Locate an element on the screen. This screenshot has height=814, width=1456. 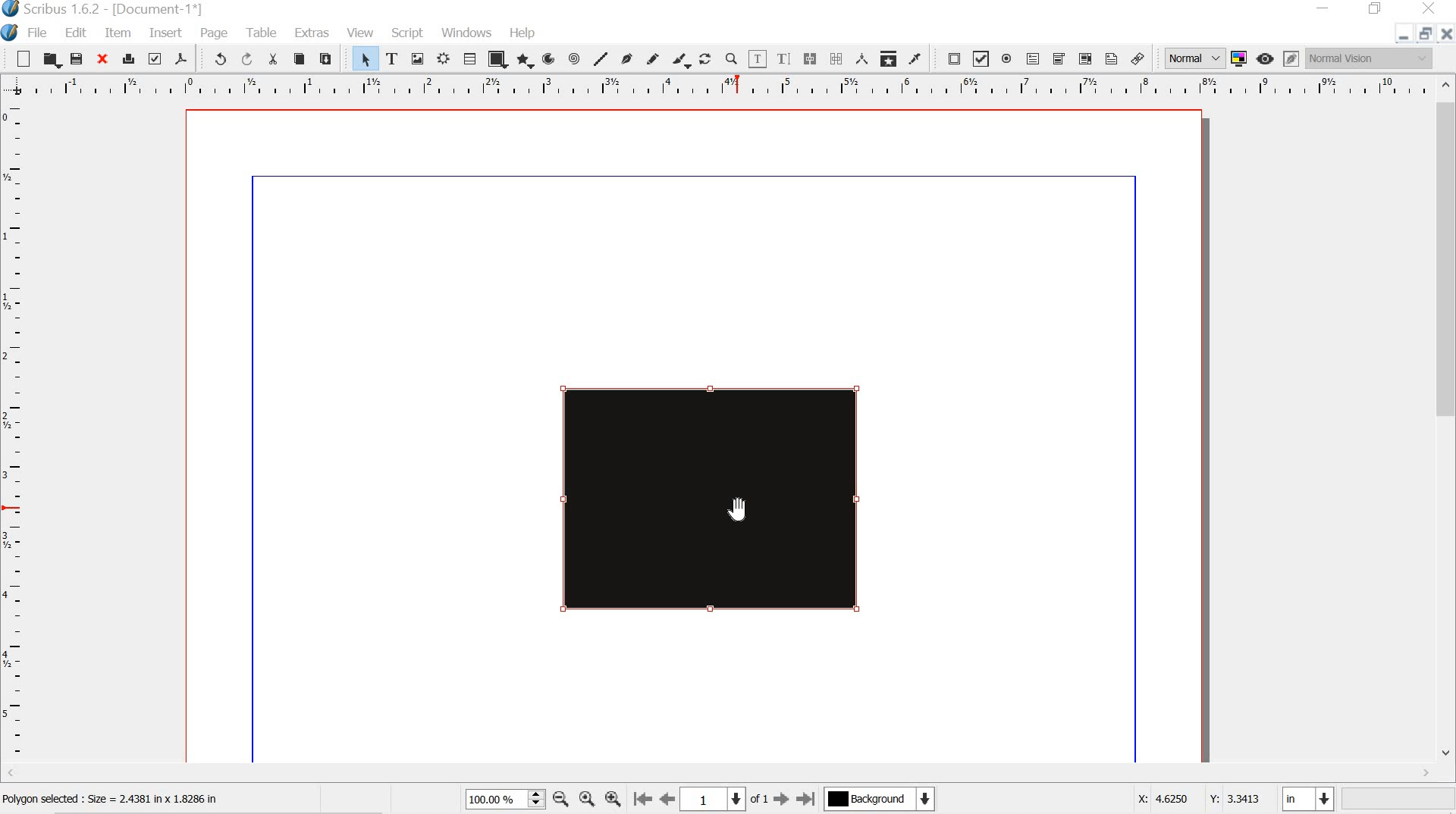
file is located at coordinates (42, 33).